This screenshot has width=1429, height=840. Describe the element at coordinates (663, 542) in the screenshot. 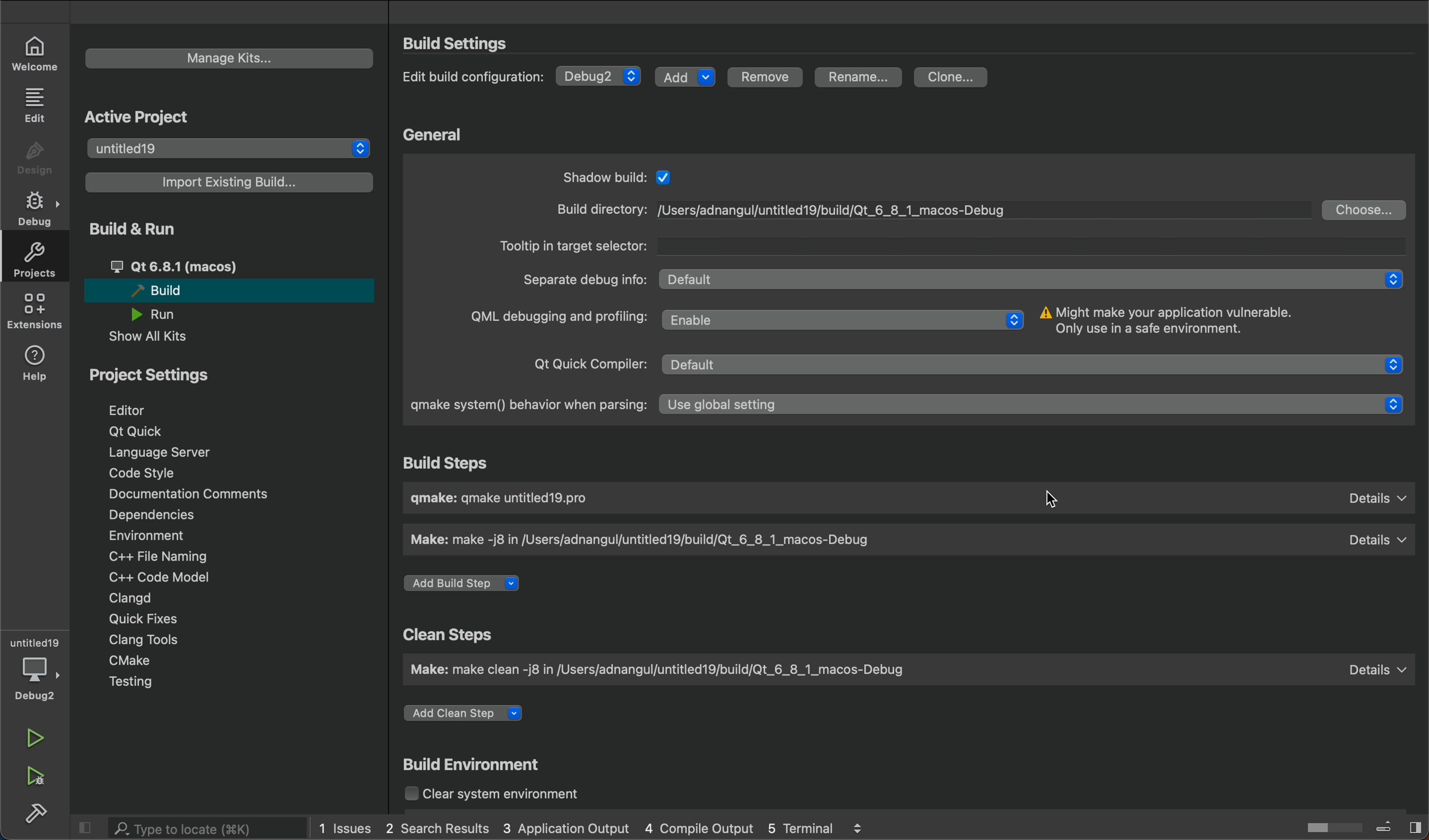

I see `make` at that location.